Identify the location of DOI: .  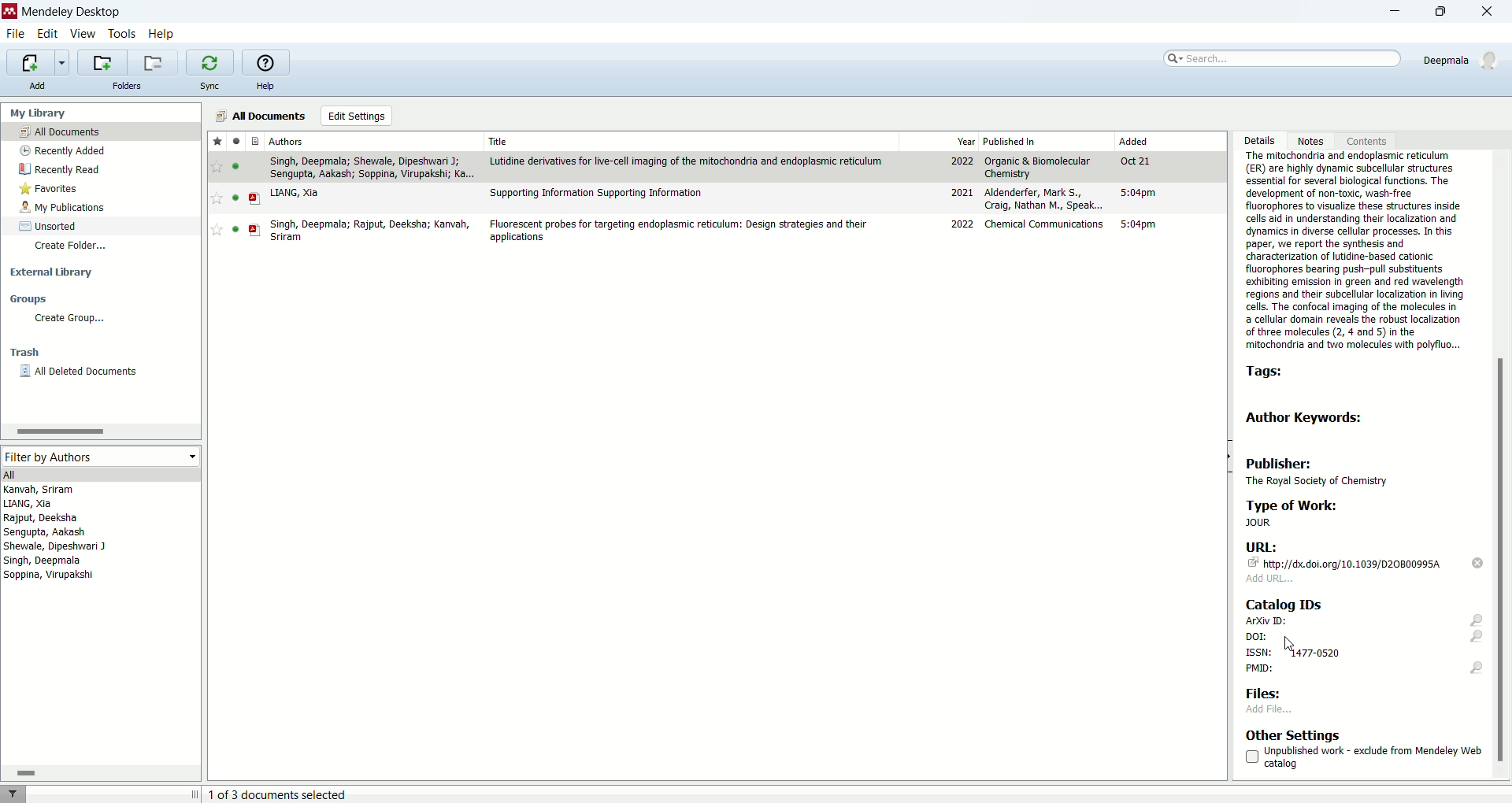
(1360, 638).